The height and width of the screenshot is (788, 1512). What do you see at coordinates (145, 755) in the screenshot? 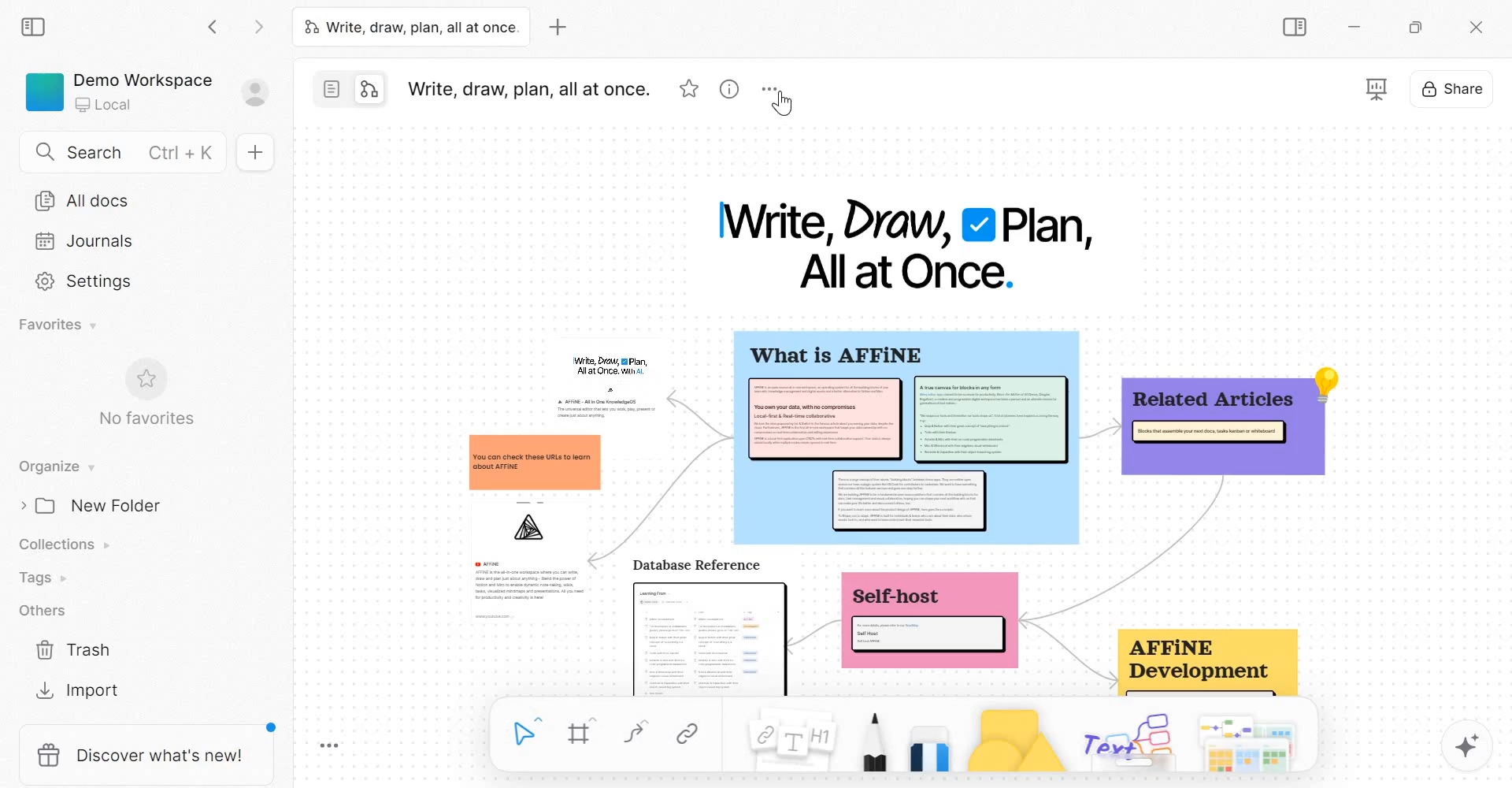
I see `discover what's new!` at bounding box center [145, 755].